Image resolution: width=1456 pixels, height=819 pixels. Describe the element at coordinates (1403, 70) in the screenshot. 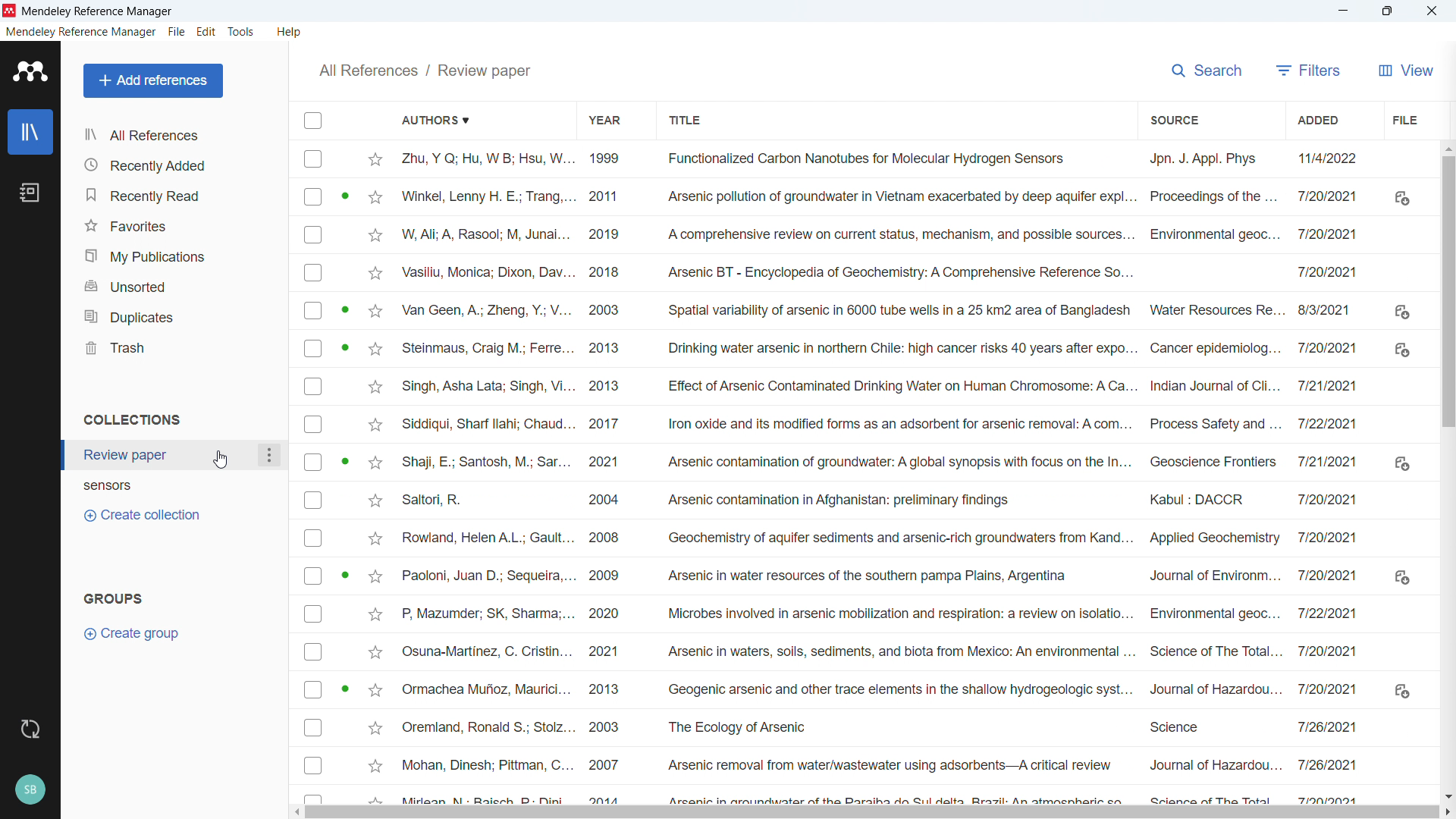

I see `View ` at that location.